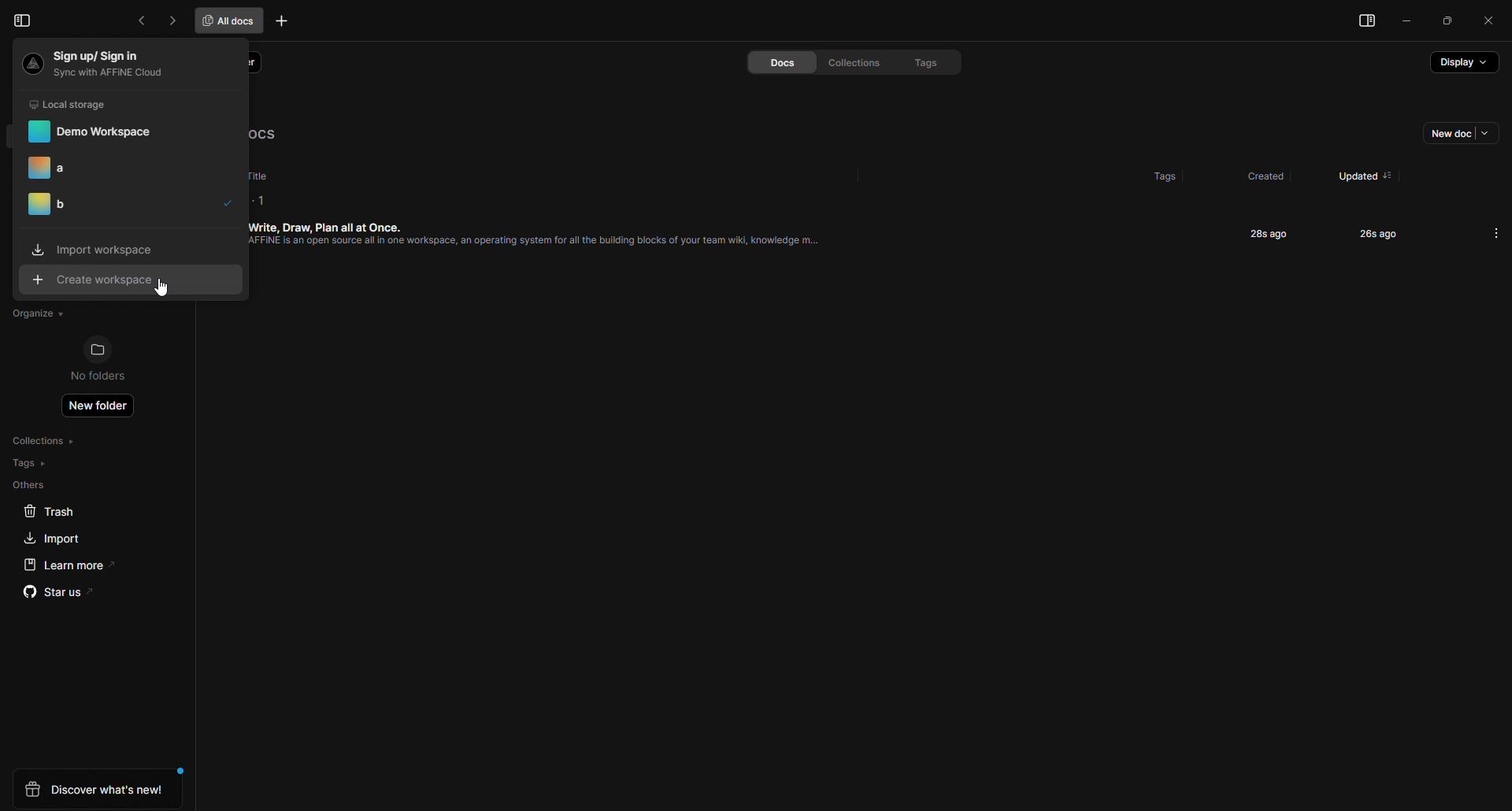 The height and width of the screenshot is (811, 1512). Describe the element at coordinates (100, 281) in the screenshot. I see `create workspace` at that location.